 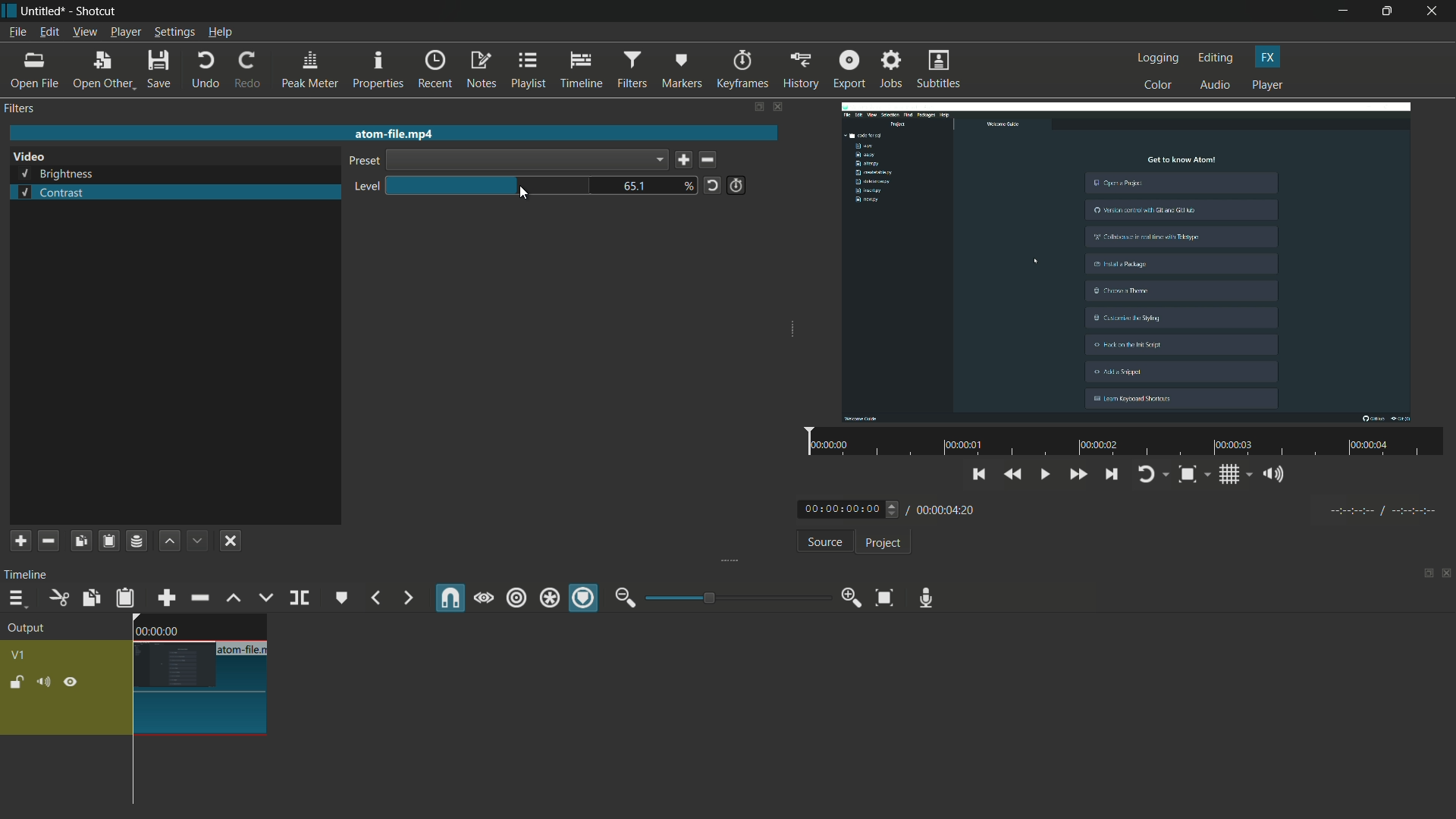 I want to click on toggle player logging, so click(x=1153, y=474).